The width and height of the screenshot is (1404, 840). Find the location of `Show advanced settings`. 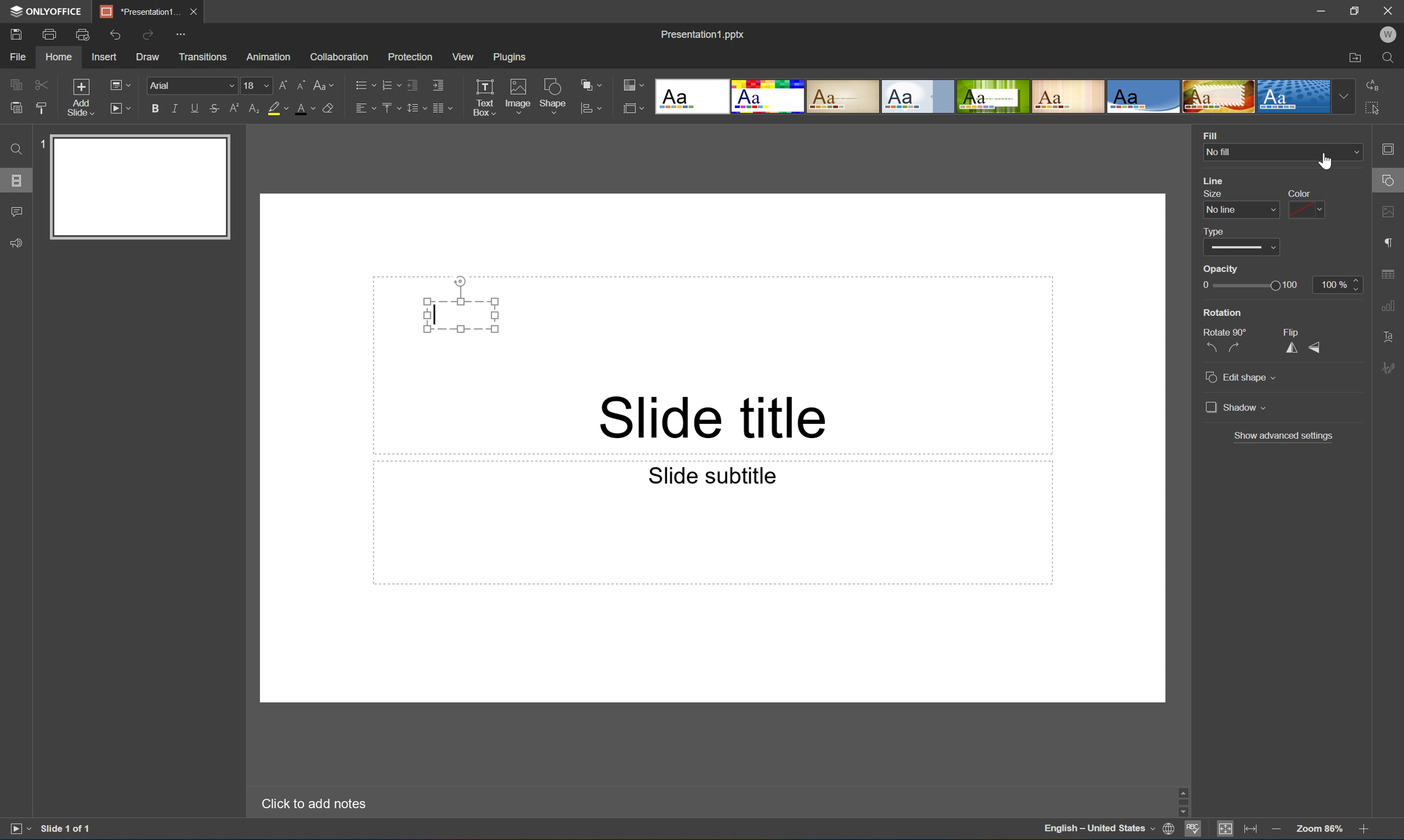

Show advanced settings is located at coordinates (1285, 436).